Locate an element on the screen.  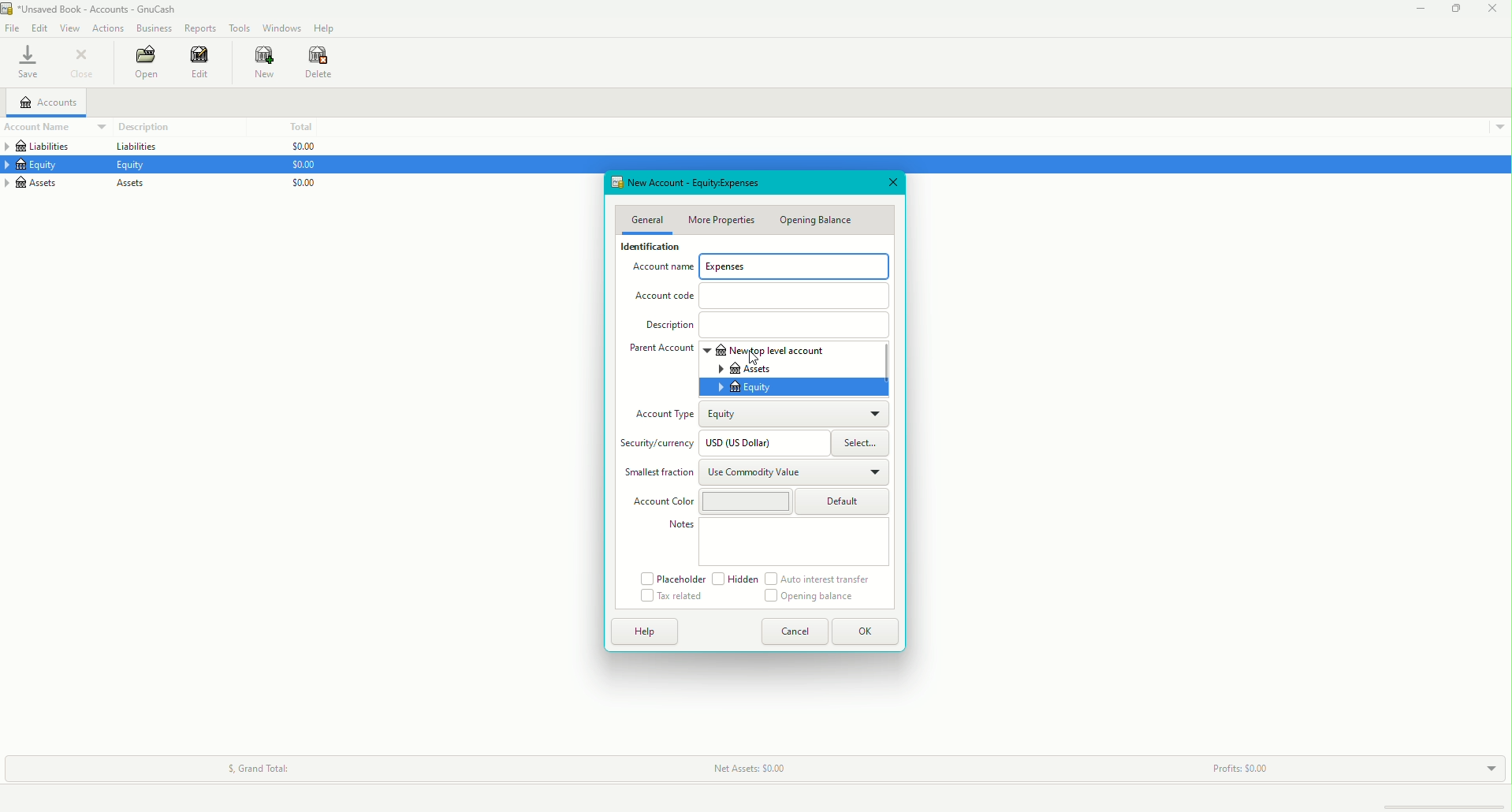
Windows is located at coordinates (281, 28).